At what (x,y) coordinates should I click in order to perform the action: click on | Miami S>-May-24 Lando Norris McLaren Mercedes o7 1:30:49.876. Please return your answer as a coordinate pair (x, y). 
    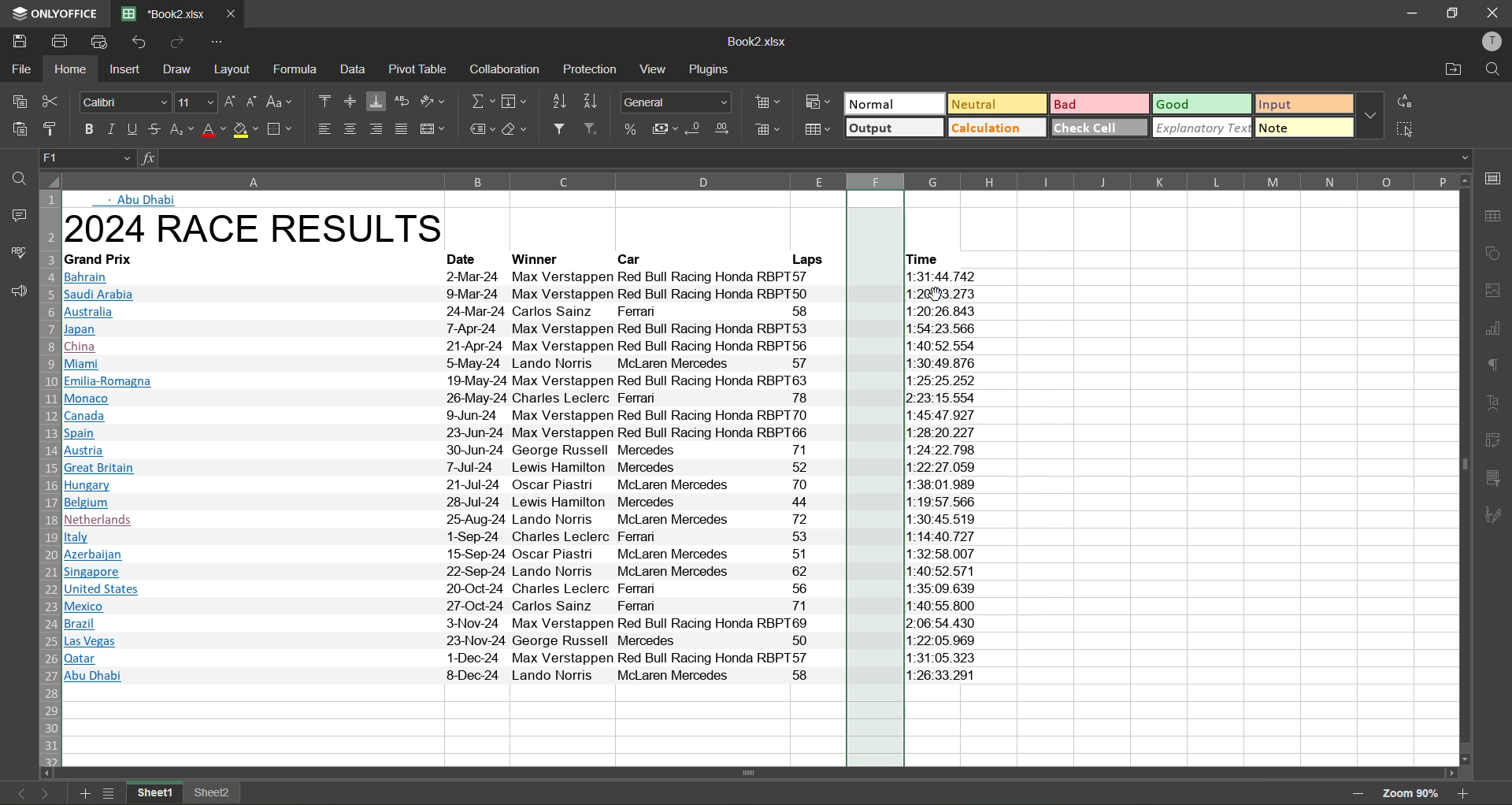
    Looking at the image, I should click on (447, 363).